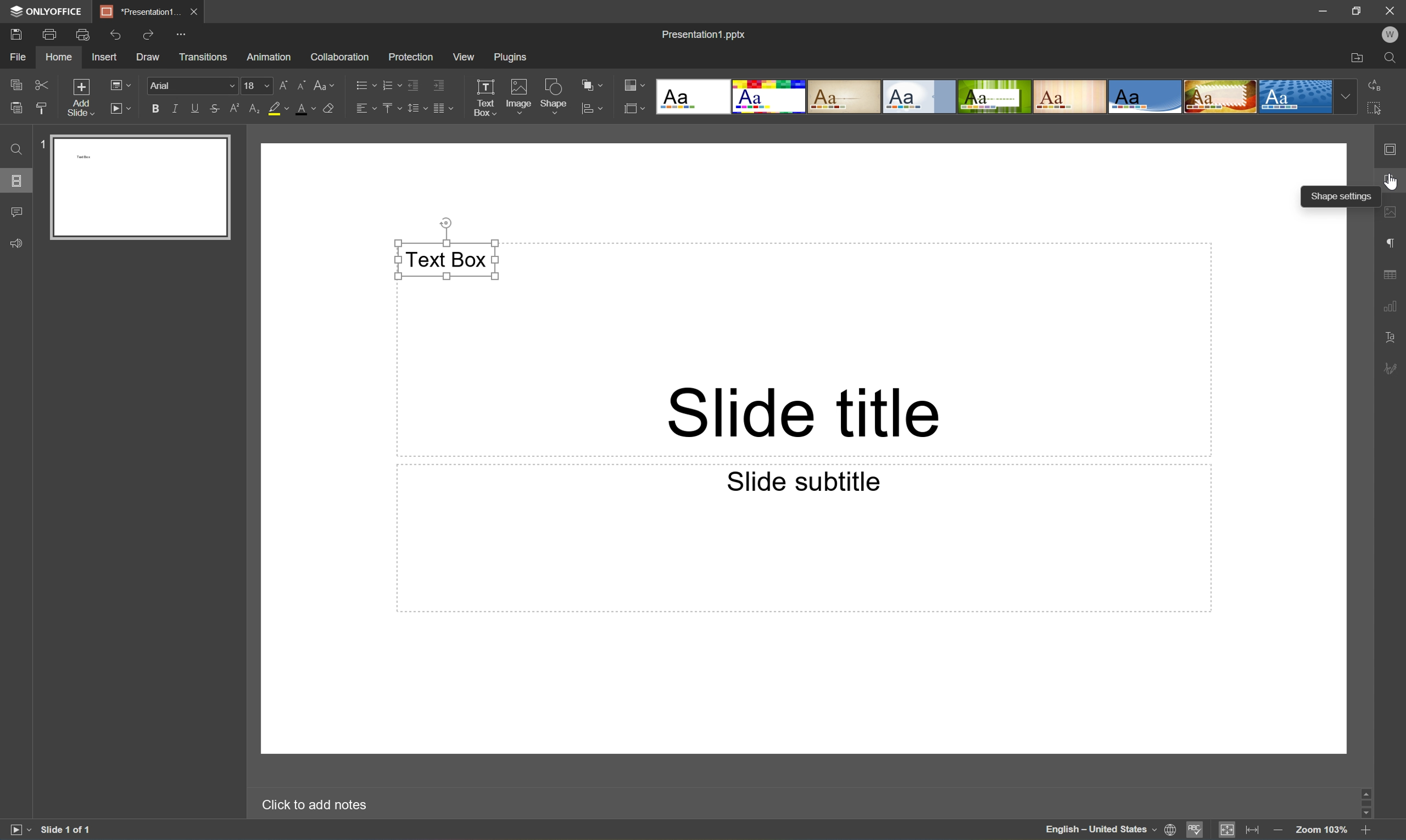 The width and height of the screenshot is (1406, 840). I want to click on Slides, so click(15, 182).